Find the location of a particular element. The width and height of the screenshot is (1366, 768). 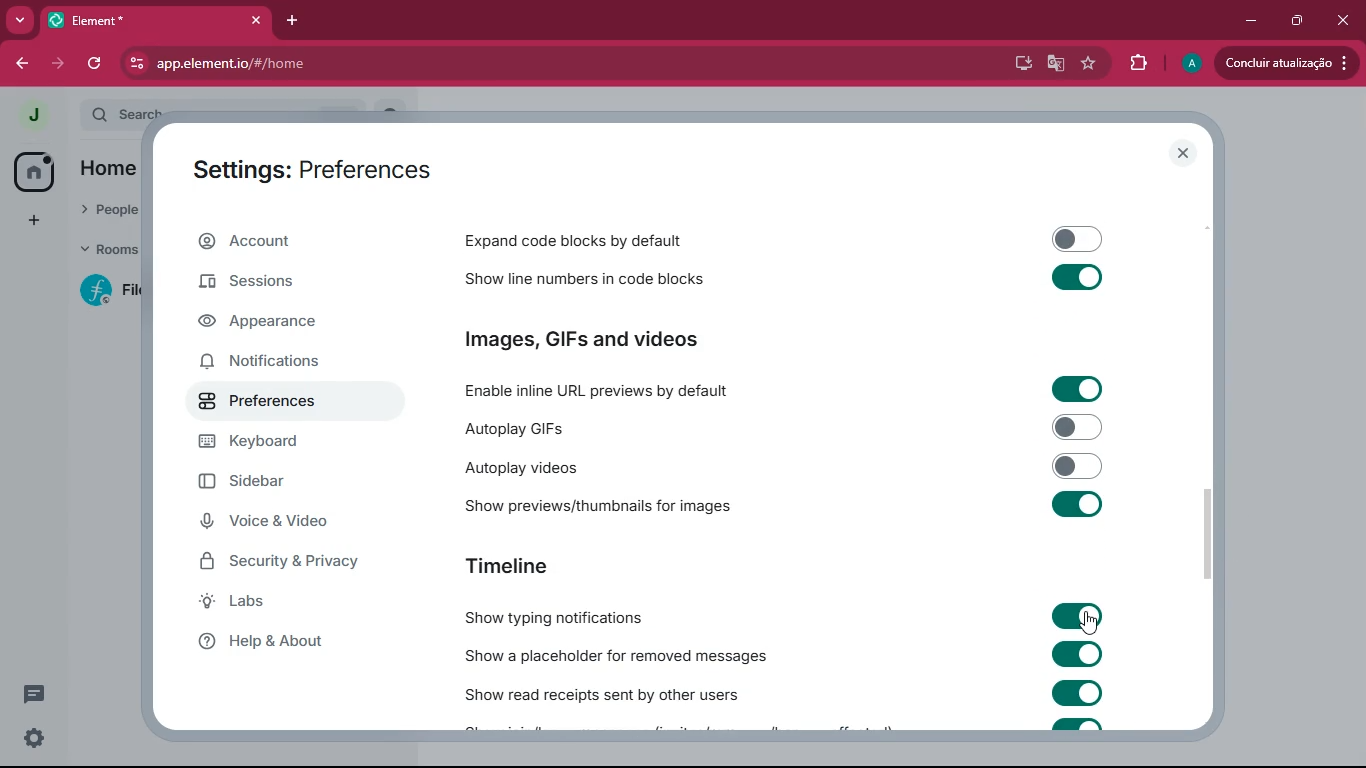

toggle on/off is located at coordinates (1077, 504).